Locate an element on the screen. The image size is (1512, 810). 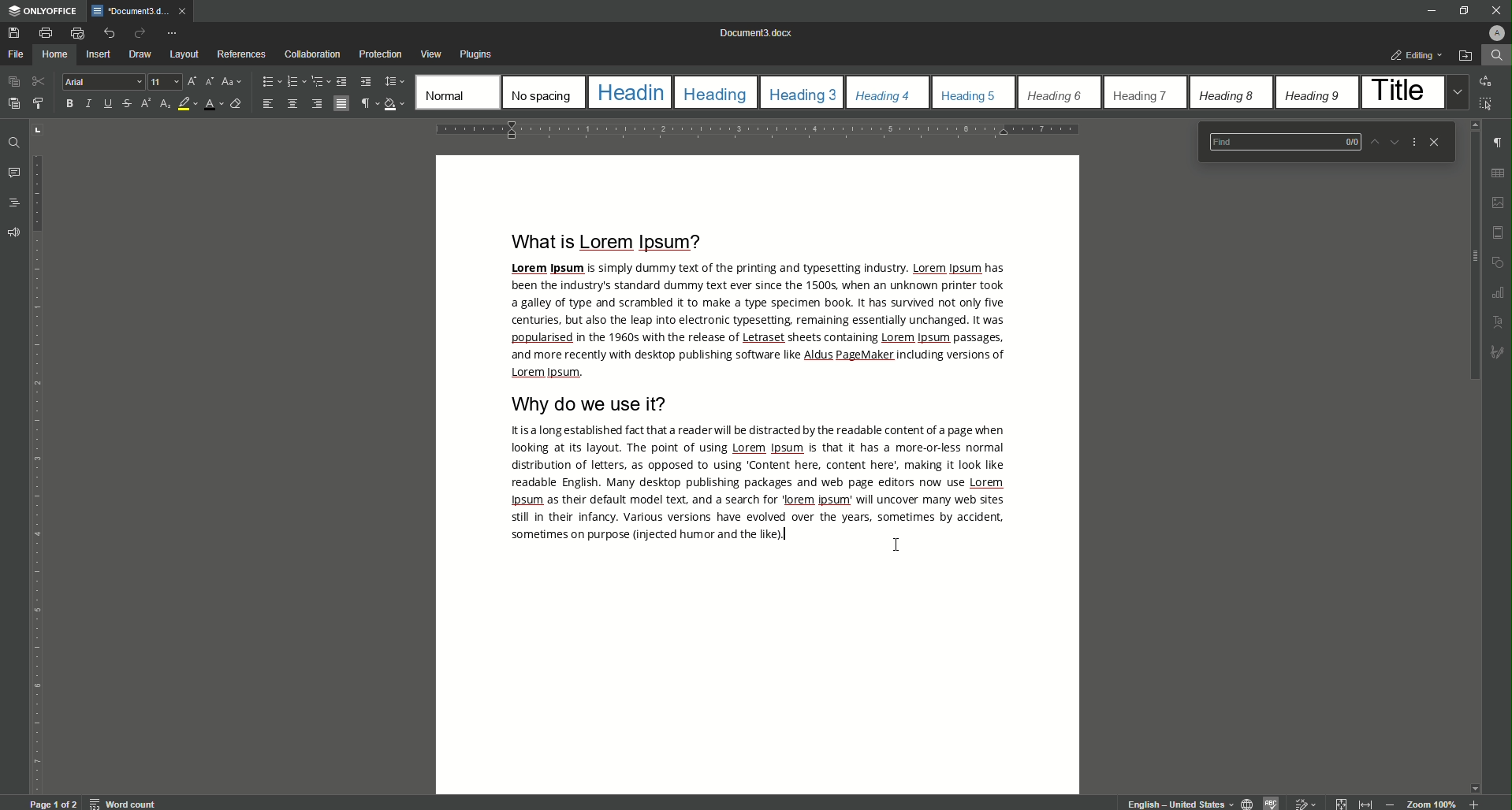
Editing is located at coordinates (1415, 54).